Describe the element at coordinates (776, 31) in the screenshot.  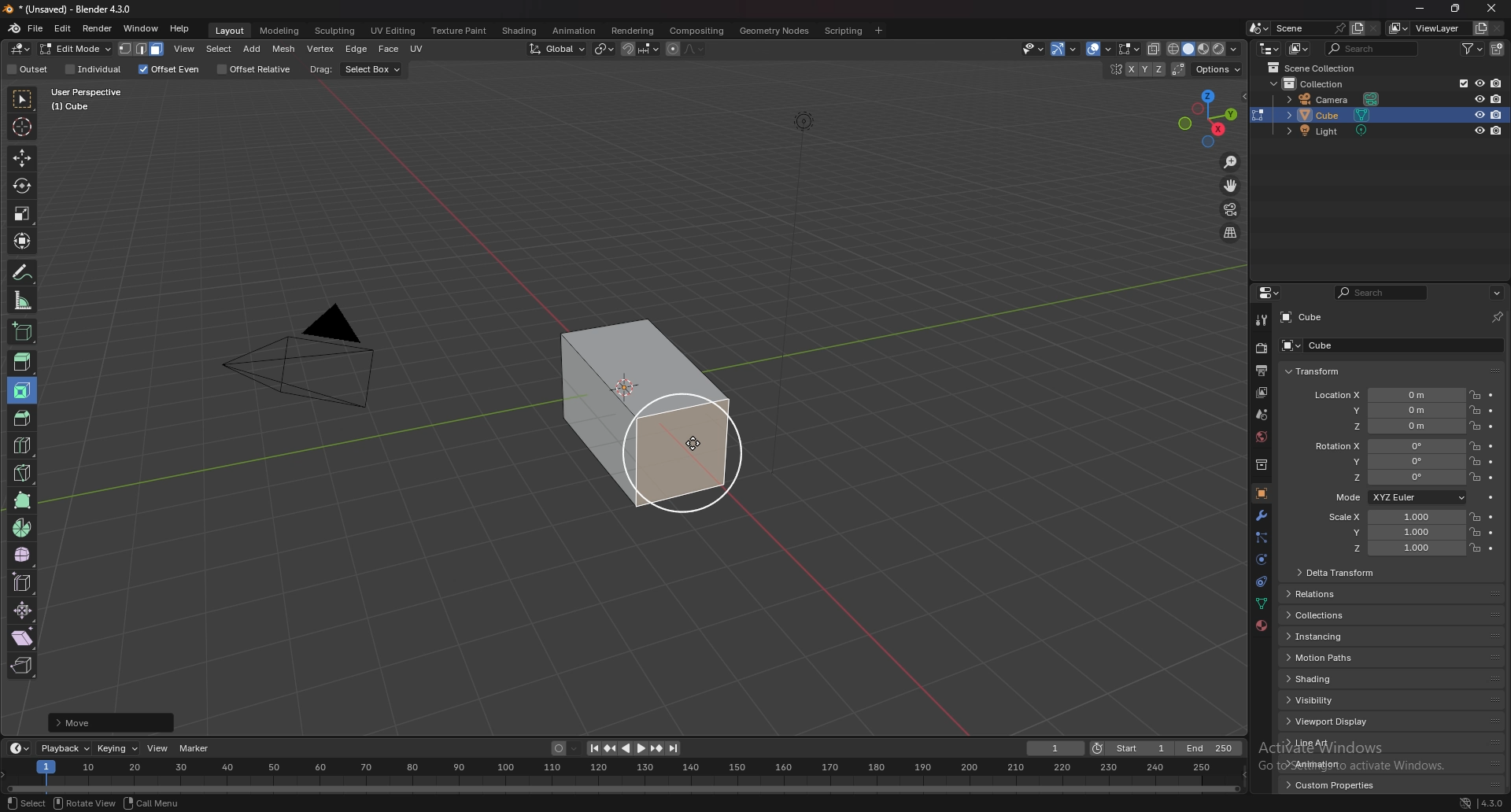
I see `geometry` at that location.